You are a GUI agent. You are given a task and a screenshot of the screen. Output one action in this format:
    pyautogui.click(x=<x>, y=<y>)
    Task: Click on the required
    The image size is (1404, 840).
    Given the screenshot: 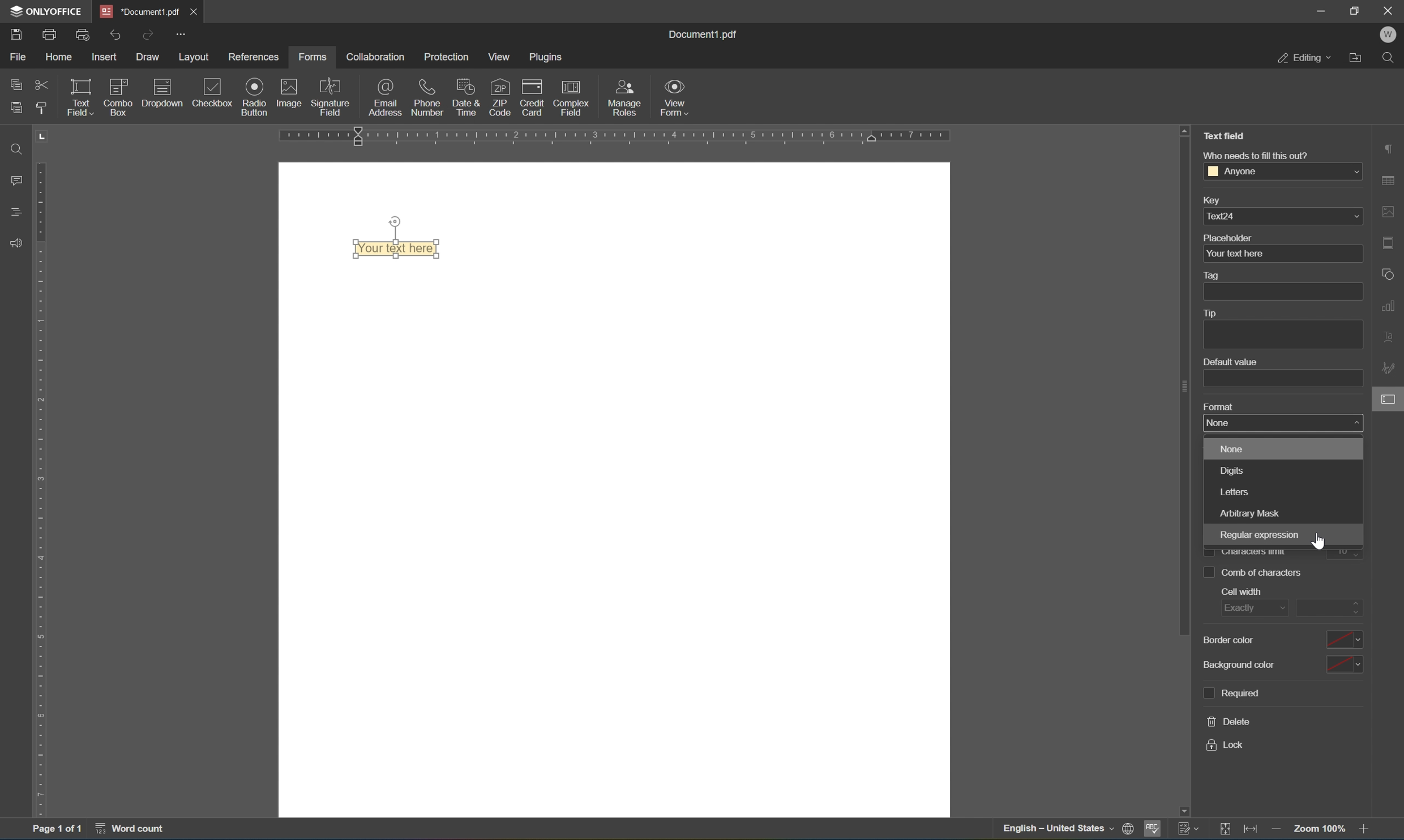 What is the action you would take?
    pyautogui.click(x=1230, y=691)
    